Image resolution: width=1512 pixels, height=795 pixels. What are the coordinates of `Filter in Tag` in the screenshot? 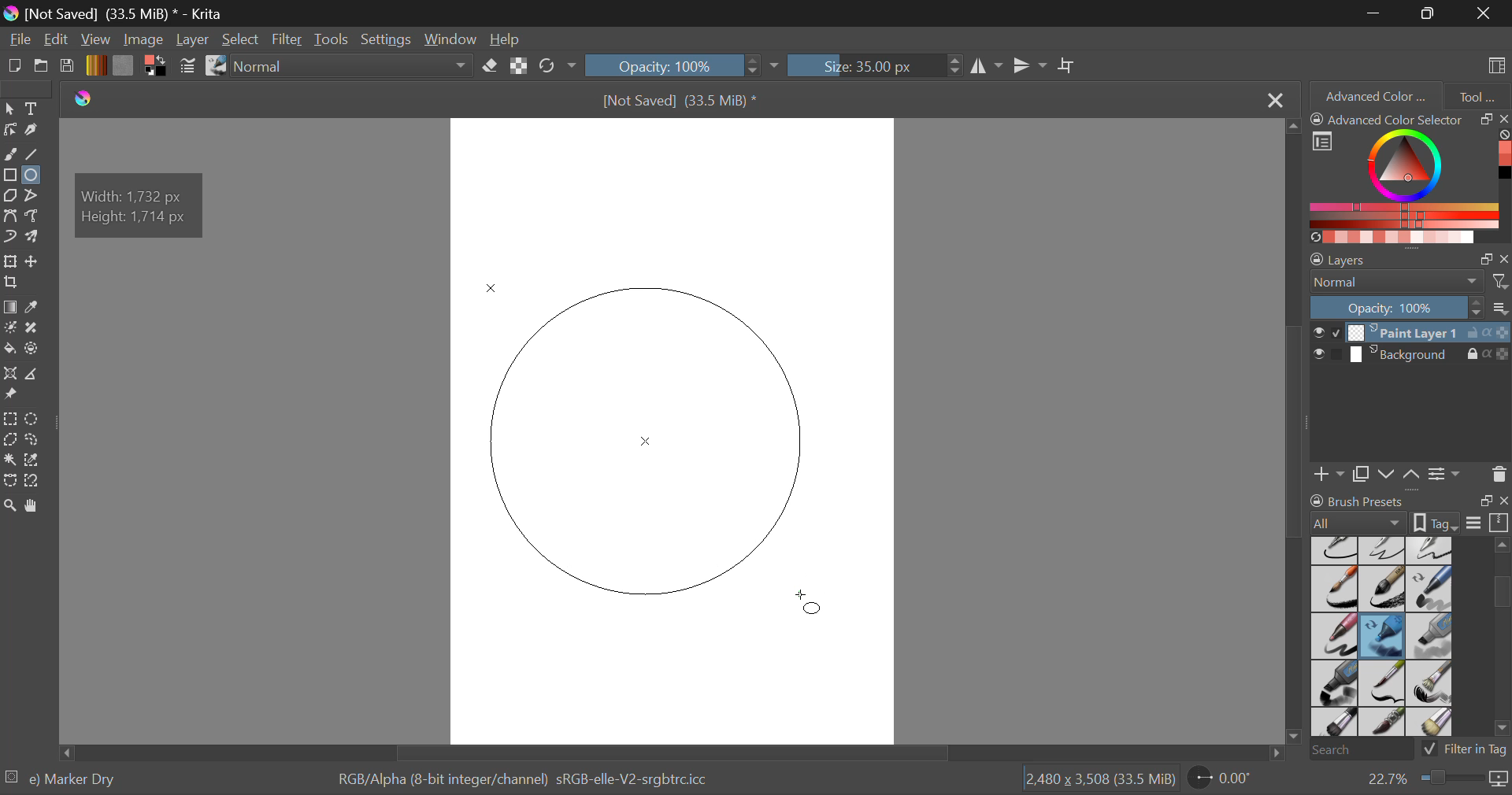 It's located at (1466, 748).